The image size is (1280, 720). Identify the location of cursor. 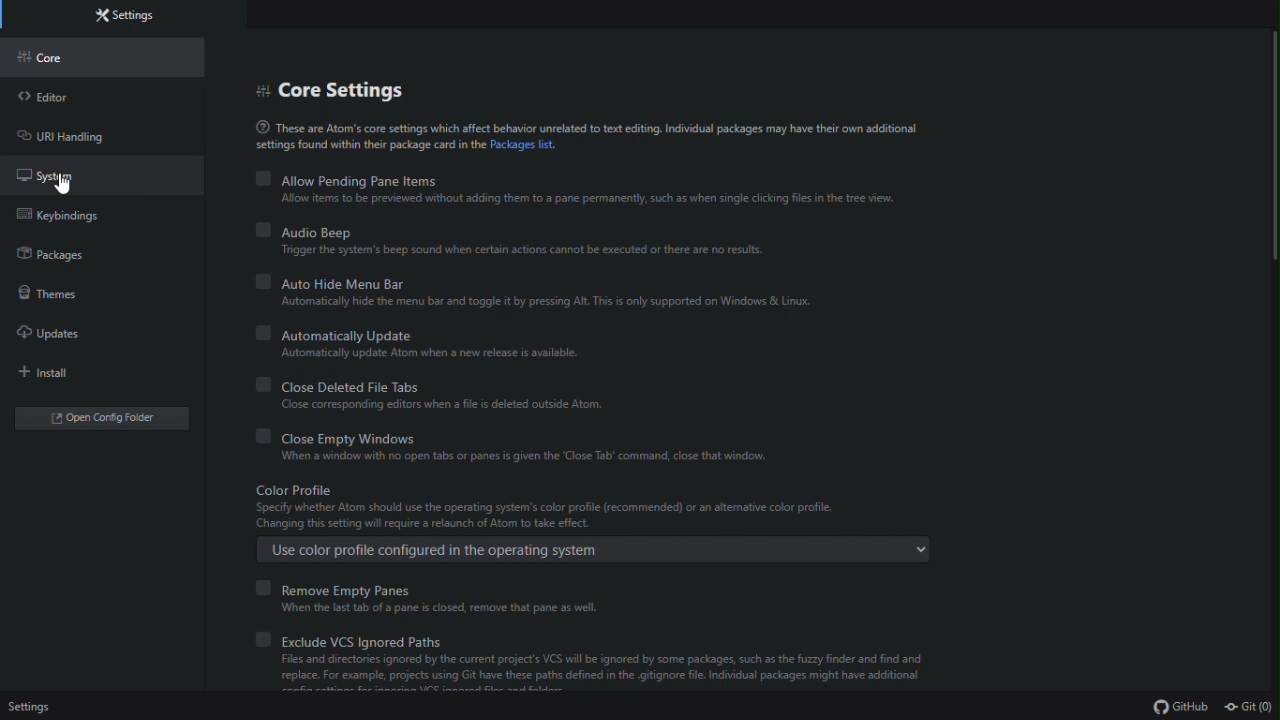
(67, 190).